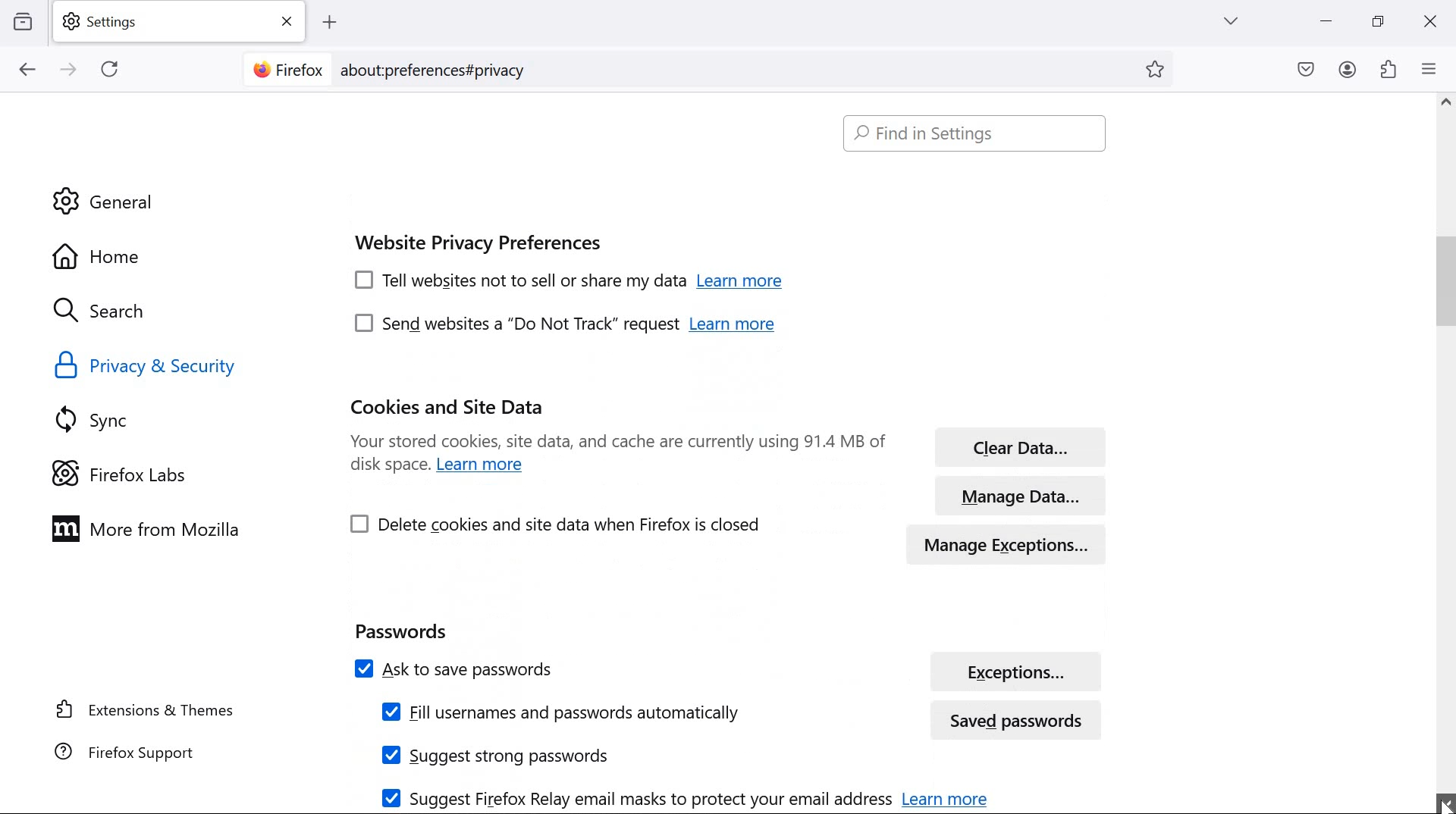  What do you see at coordinates (146, 709) in the screenshot?
I see `extensions & themes` at bounding box center [146, 709].